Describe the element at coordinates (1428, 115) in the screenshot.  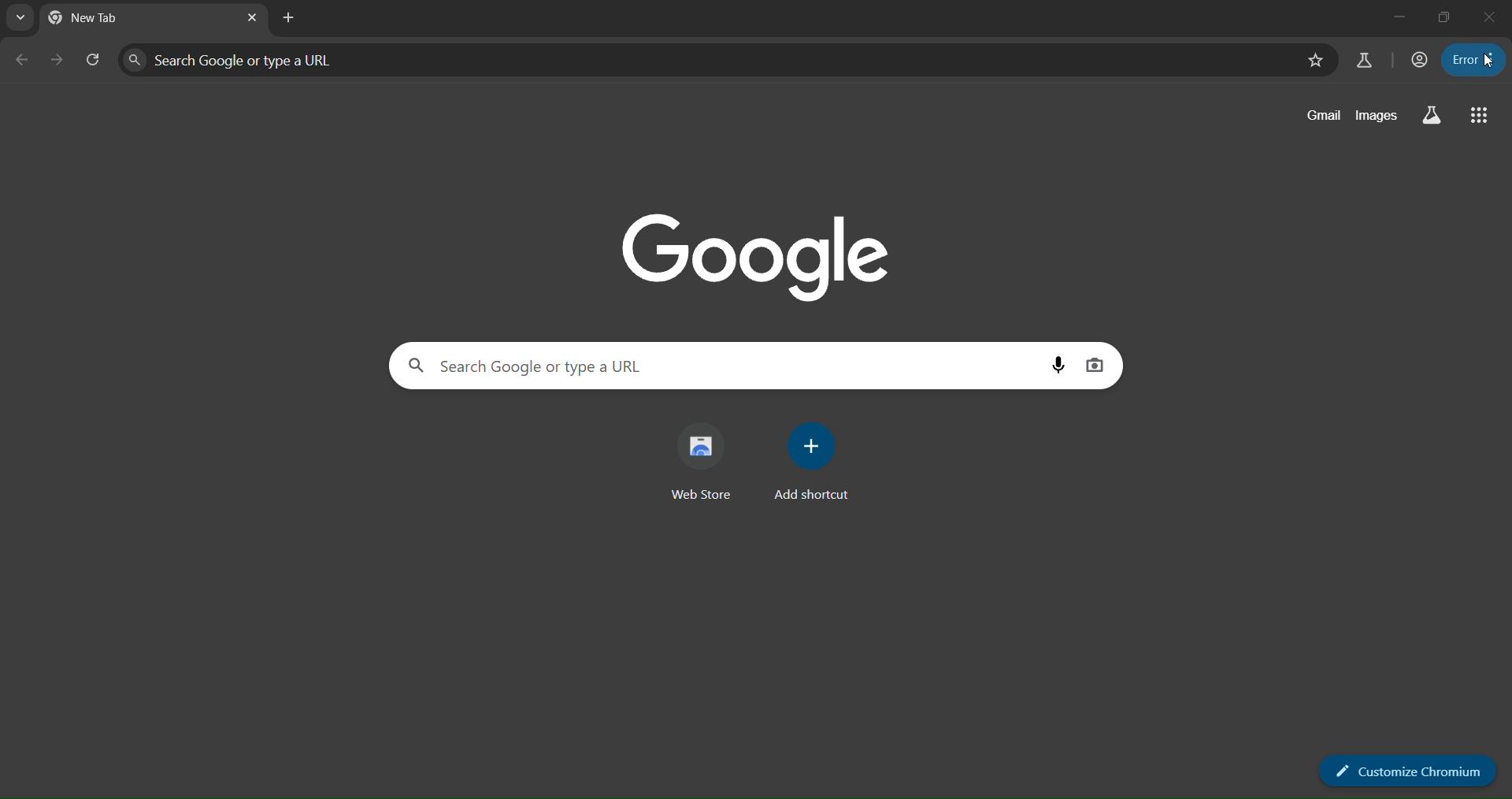
I see `search labs` at that location.